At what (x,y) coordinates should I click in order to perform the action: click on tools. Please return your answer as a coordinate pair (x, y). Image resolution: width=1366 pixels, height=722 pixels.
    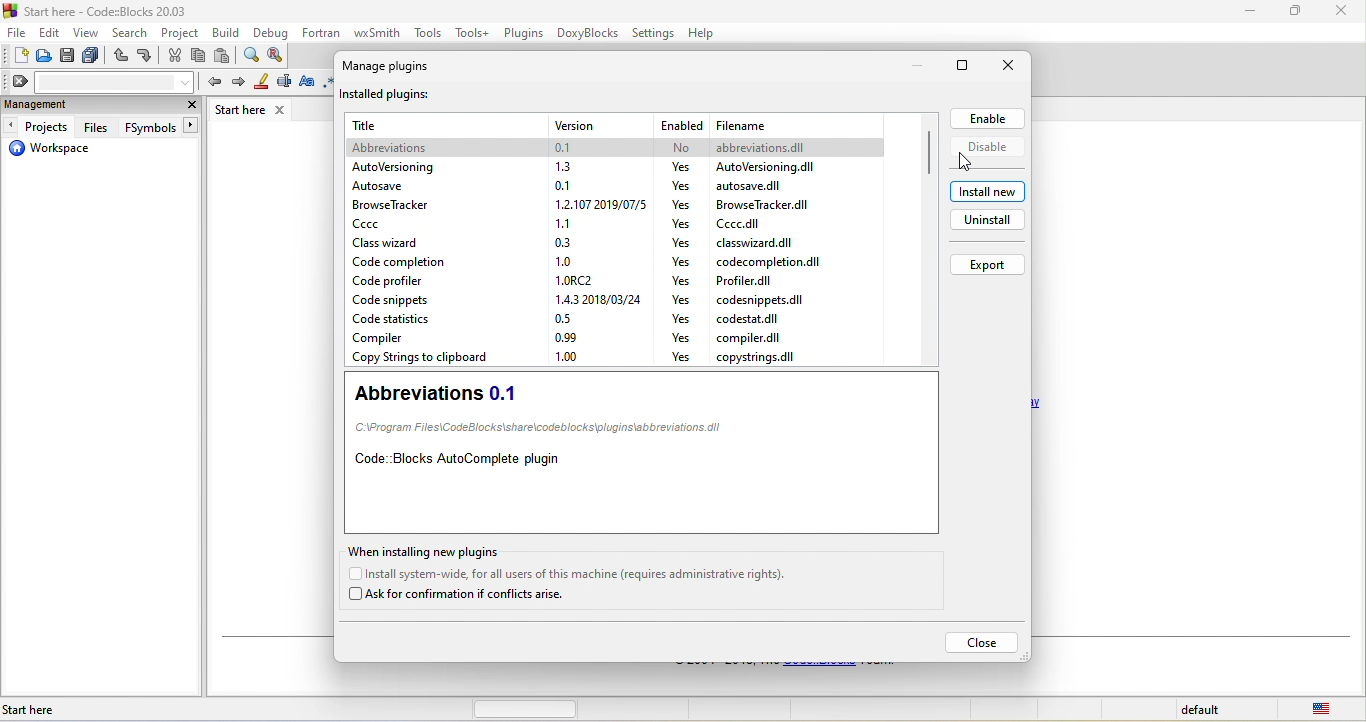
    Looking at the image, I should click on (428, 34).